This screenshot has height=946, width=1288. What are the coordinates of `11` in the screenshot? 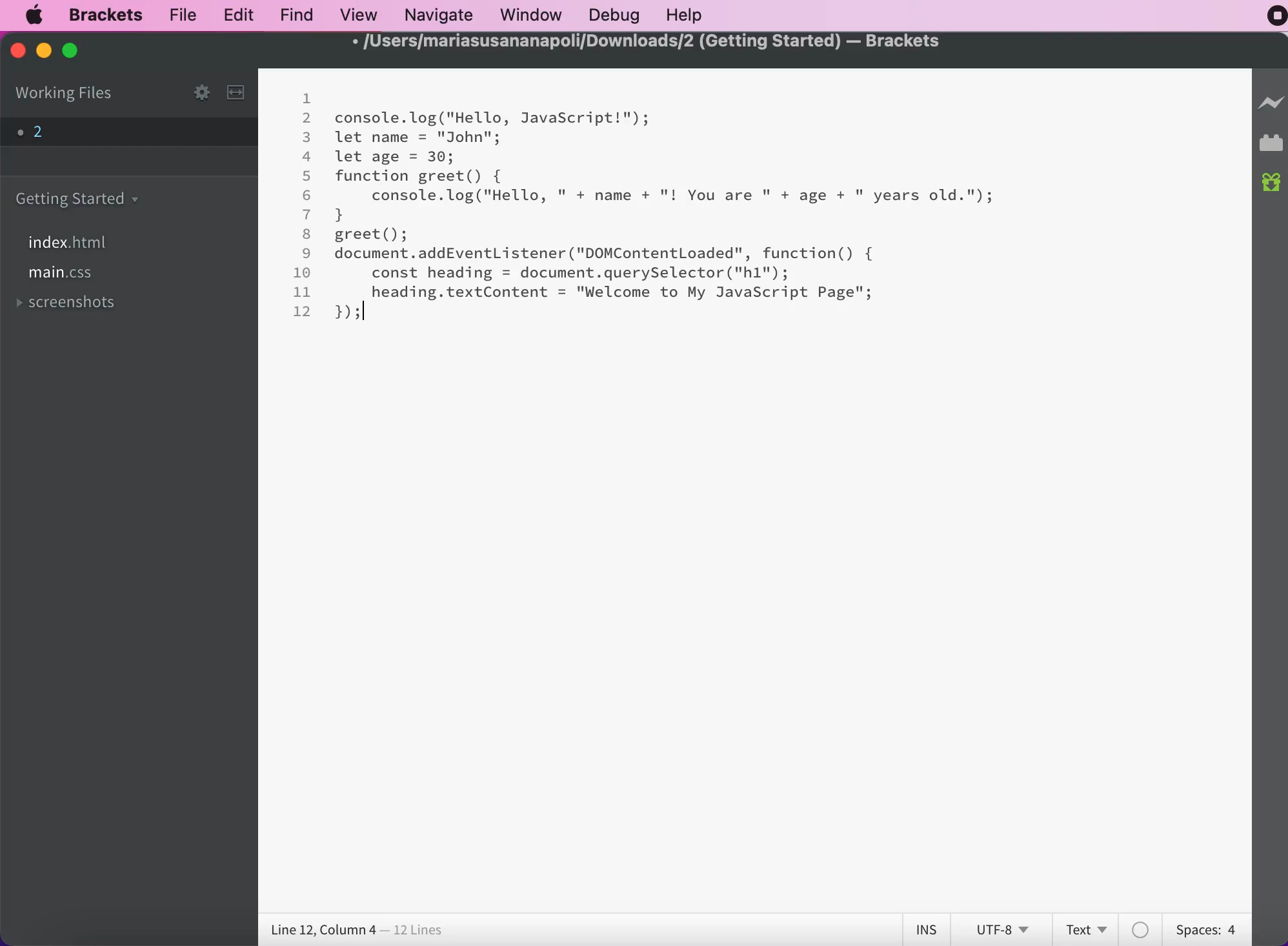 It's located at (302, 292).